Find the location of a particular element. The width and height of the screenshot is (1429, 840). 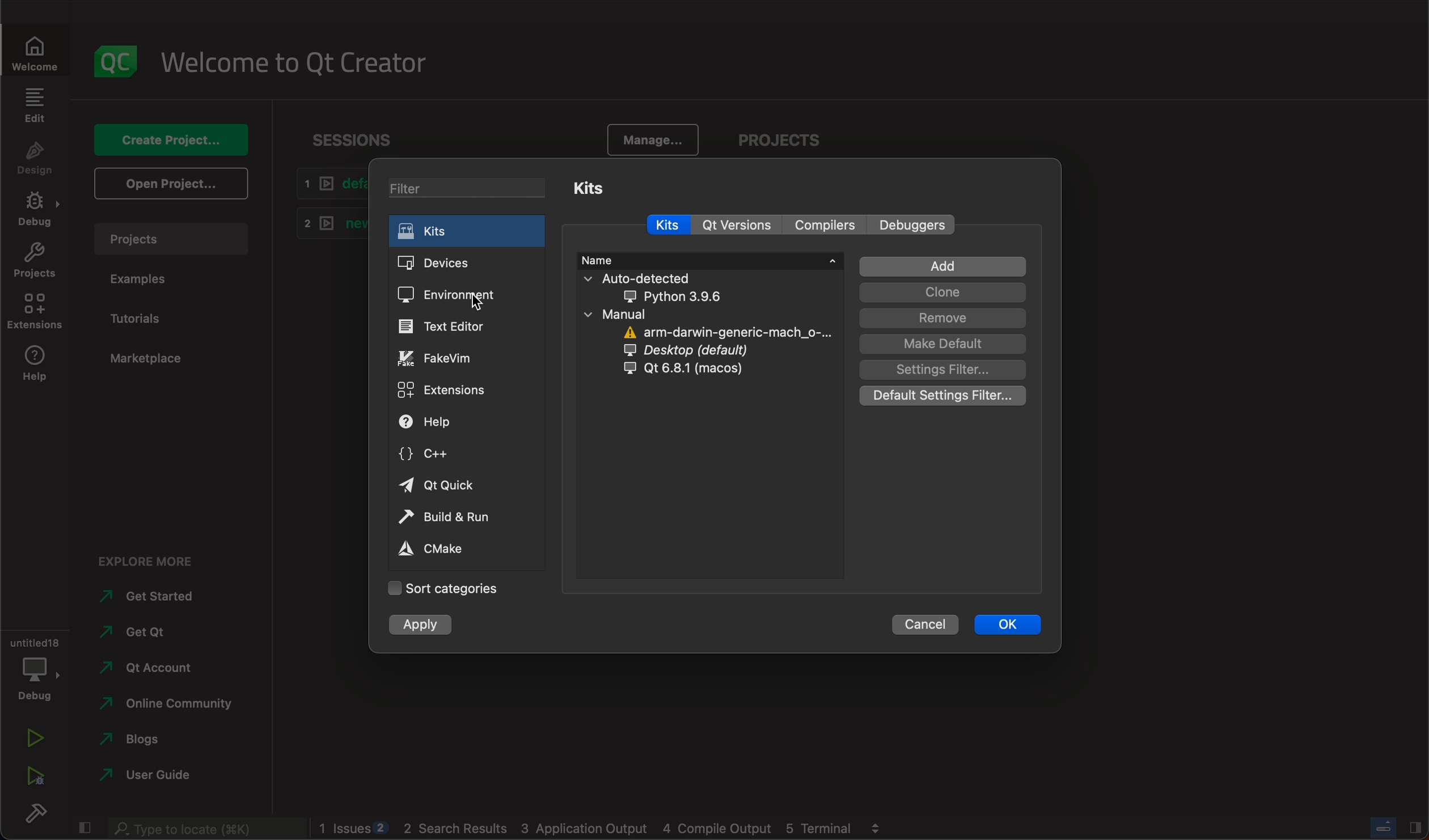

manage is located at coordinates (653, 142).